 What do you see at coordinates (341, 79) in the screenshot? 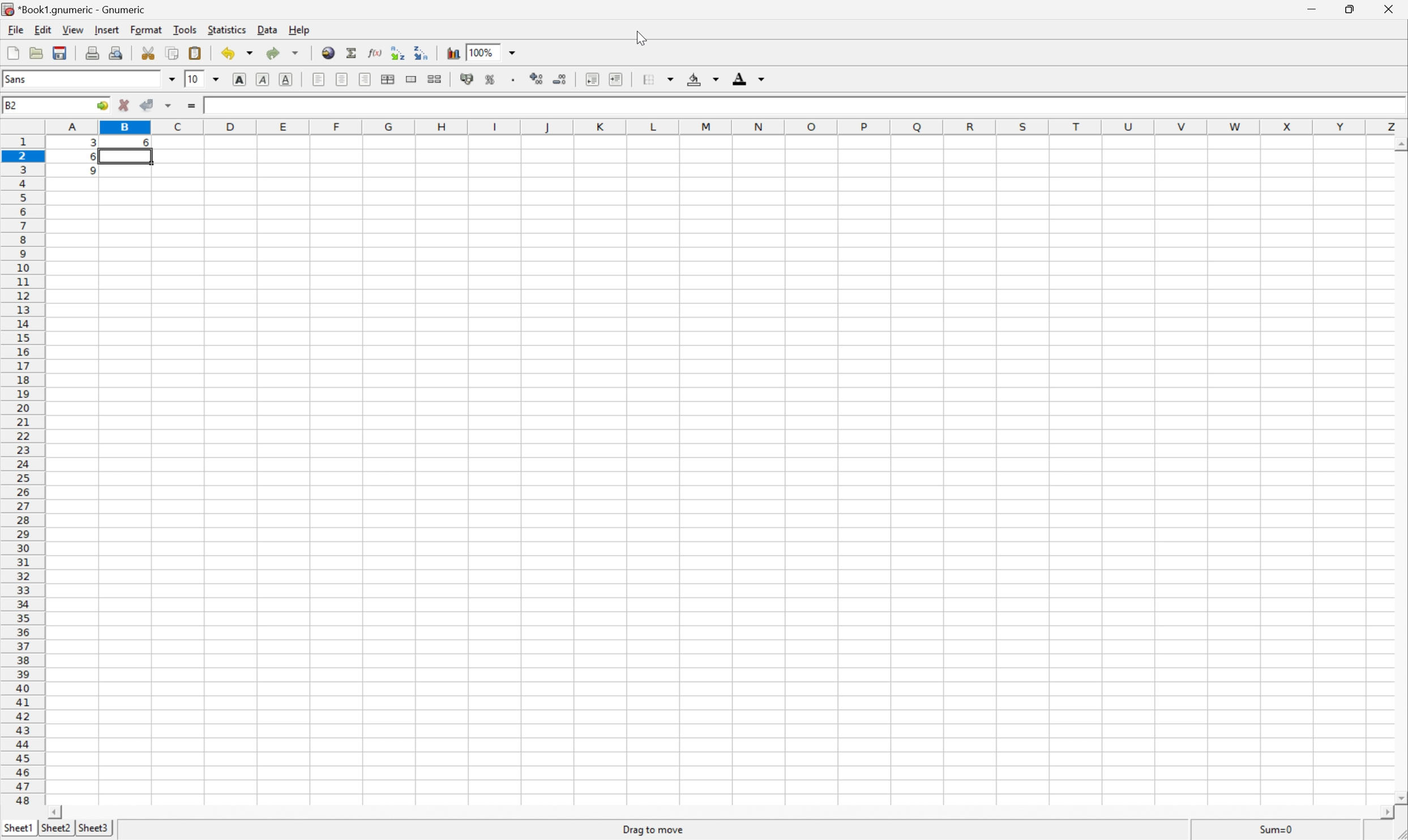
I see `Center horizontally` at bounding box center [341, 79].